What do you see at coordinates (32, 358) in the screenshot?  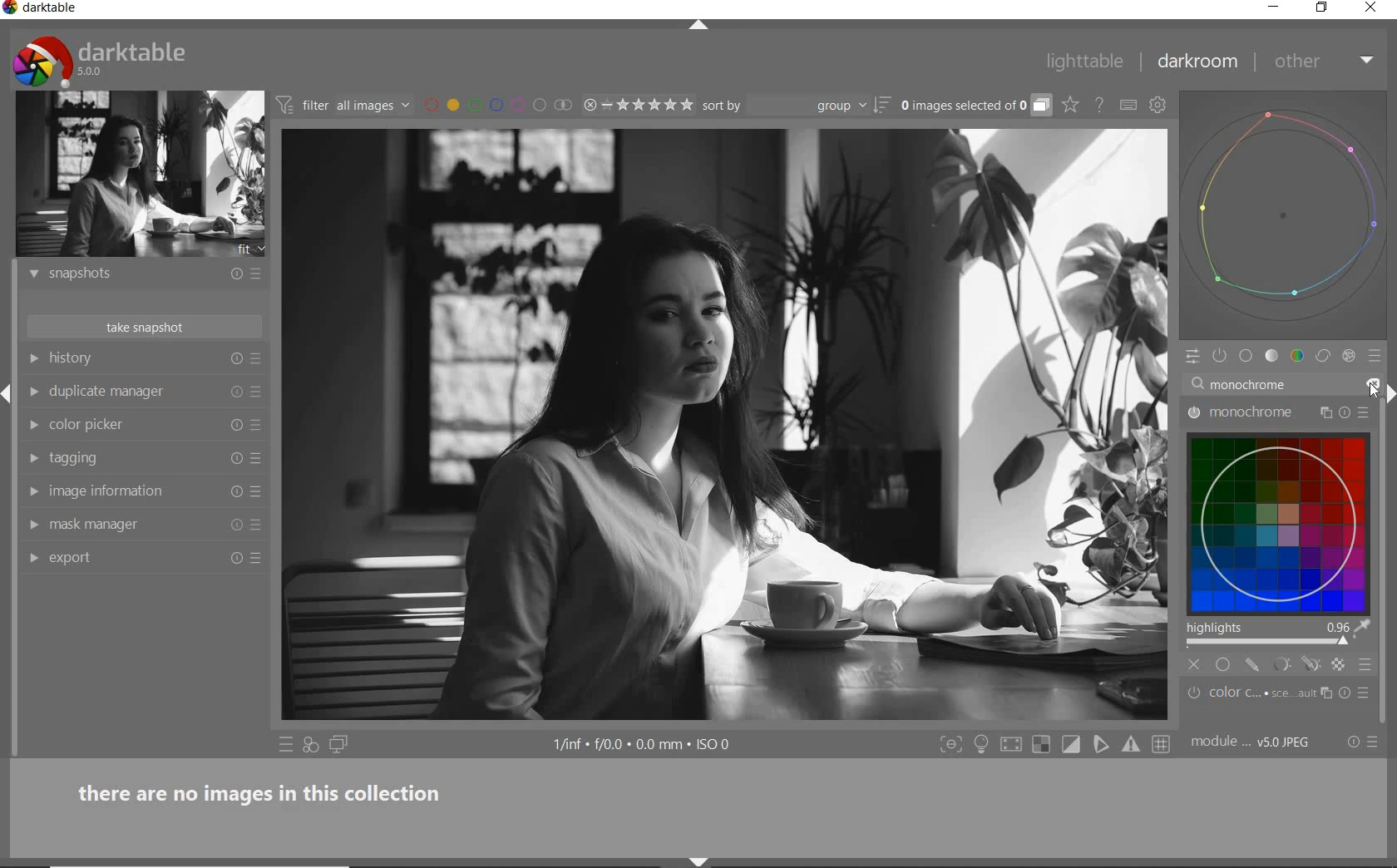 I see `show module` at bounding box center [32, 358].